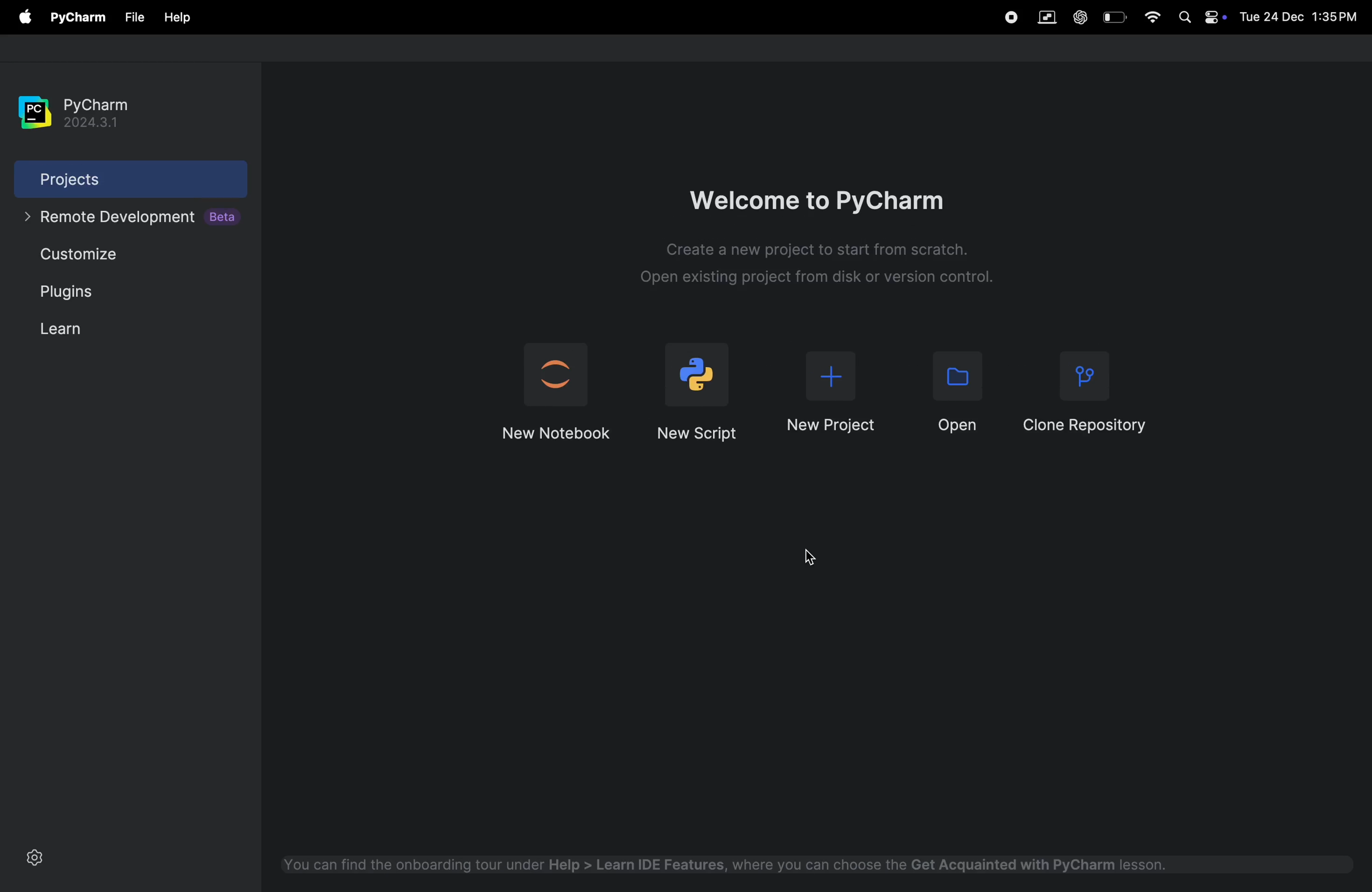 The height and width of the screenshot is (892, 1372). What do you see at coordinates (809, 555) in the screenshot?
I see `cursor` at bounding box center [809, 555].